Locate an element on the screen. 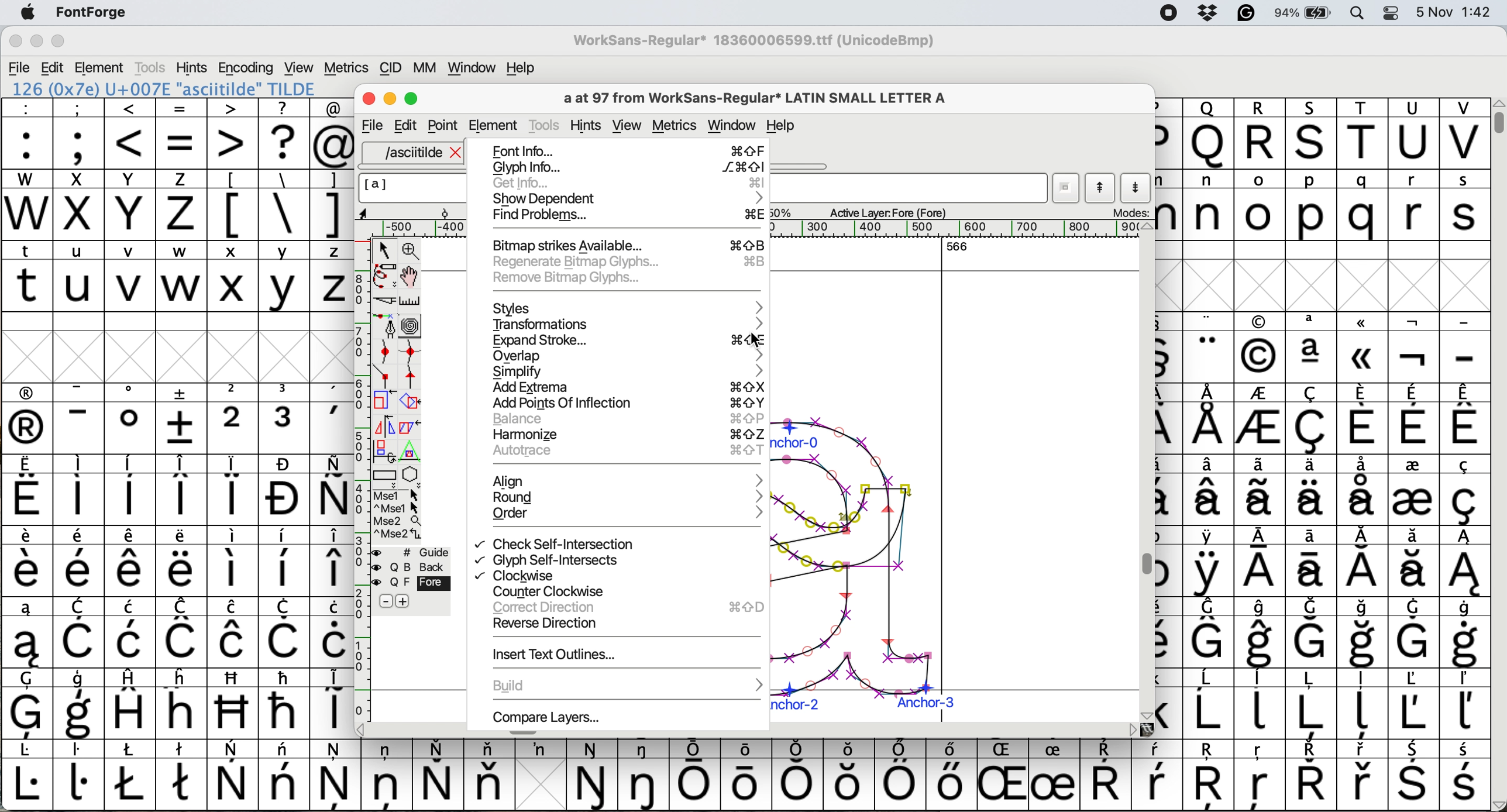 The width and height of the screenshot is (1507, 812). Help is located at coordinates (780, 127).